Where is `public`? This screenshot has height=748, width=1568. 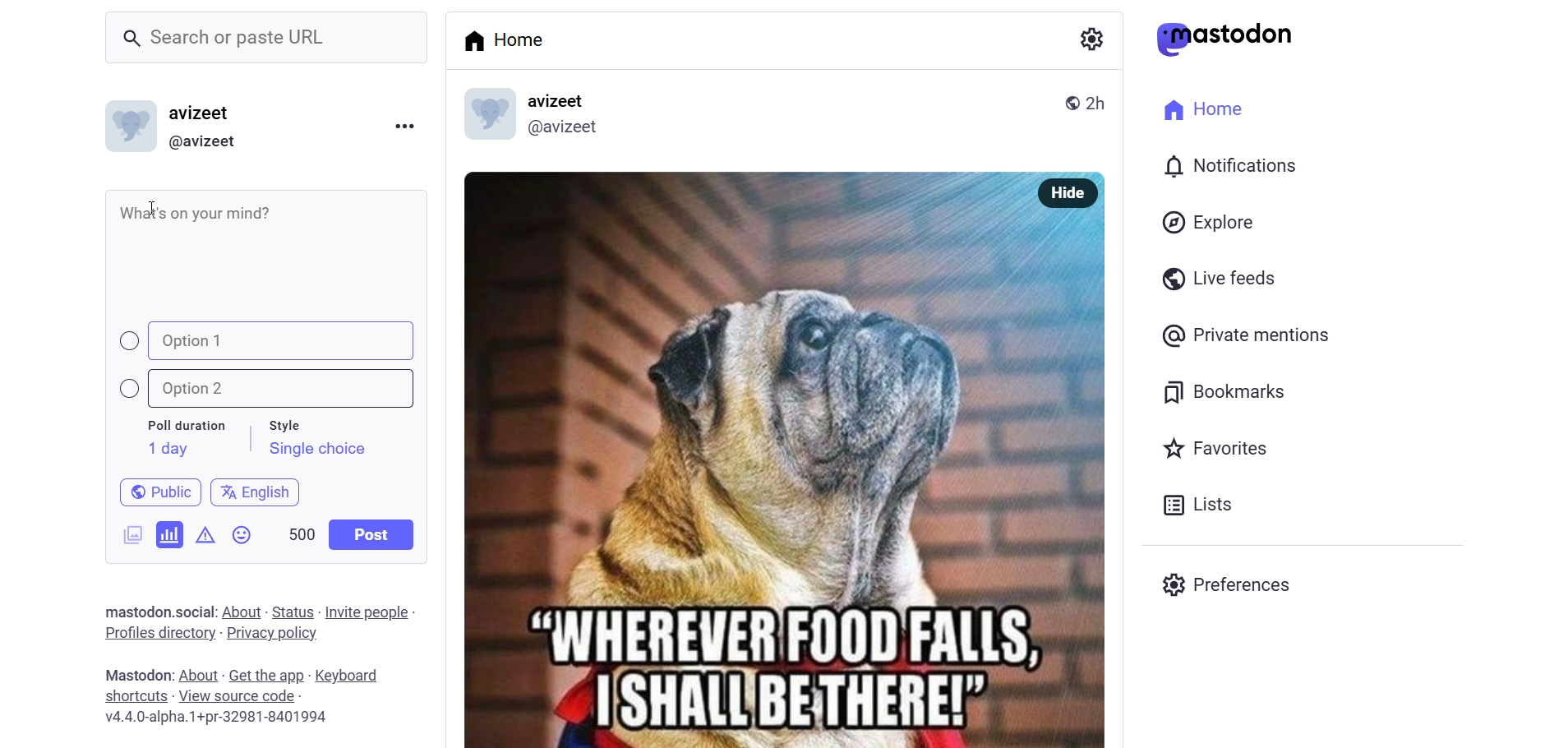 public is located at coordinates (1066, 101).